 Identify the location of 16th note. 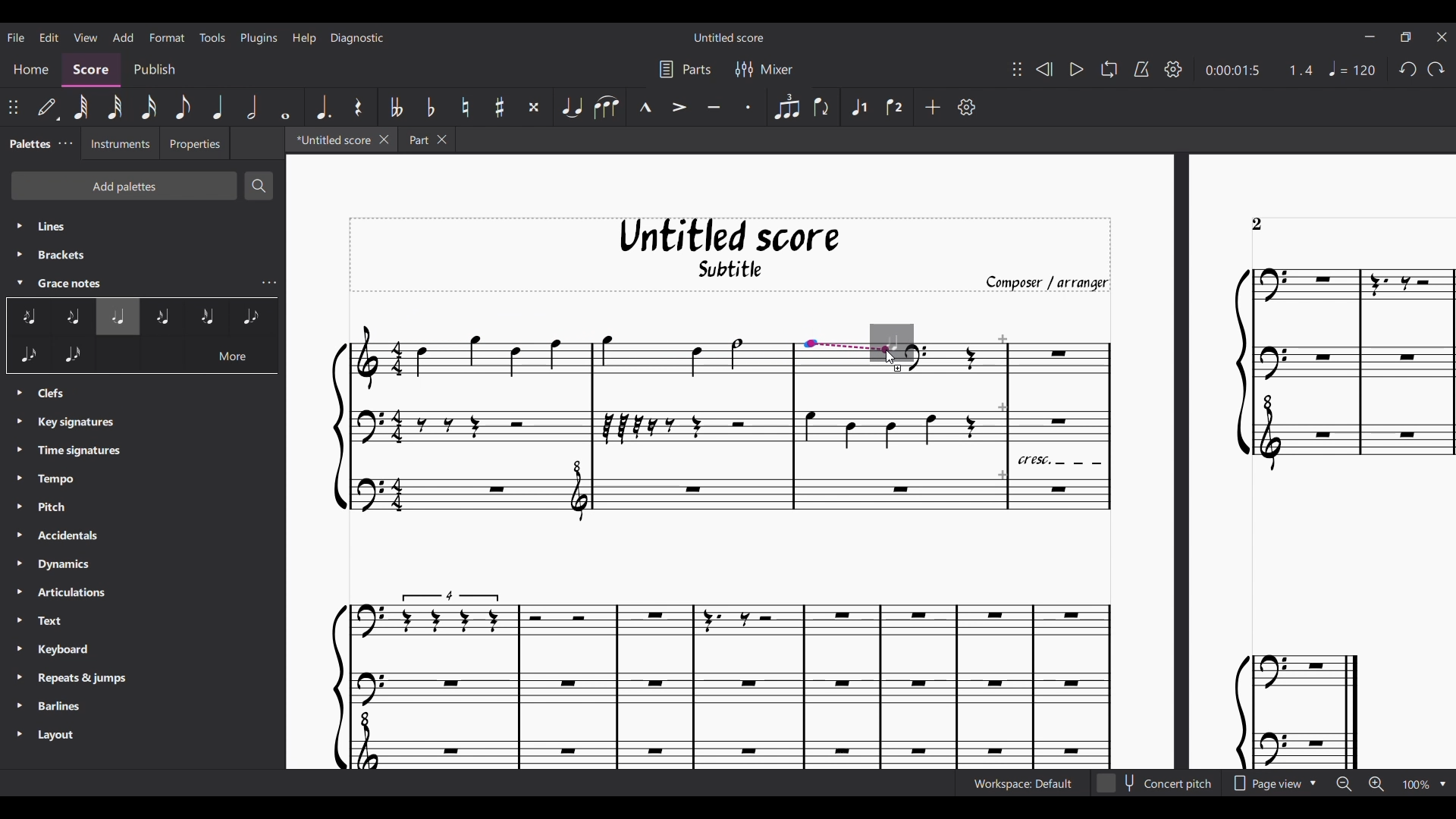
(148, 108).